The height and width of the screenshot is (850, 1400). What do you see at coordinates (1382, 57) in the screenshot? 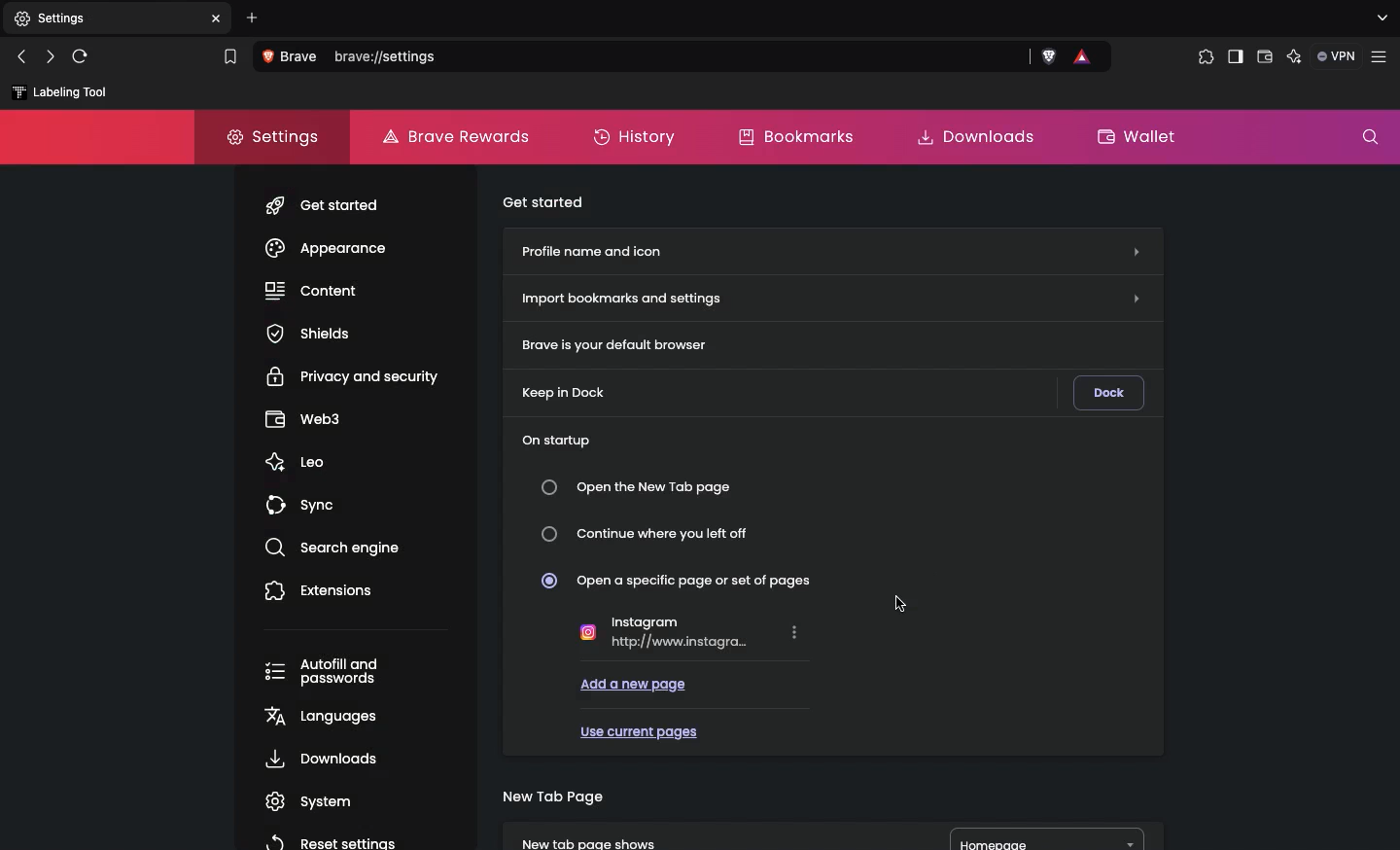
I see `Customize and control brave` at bounding box center [1382, 57].